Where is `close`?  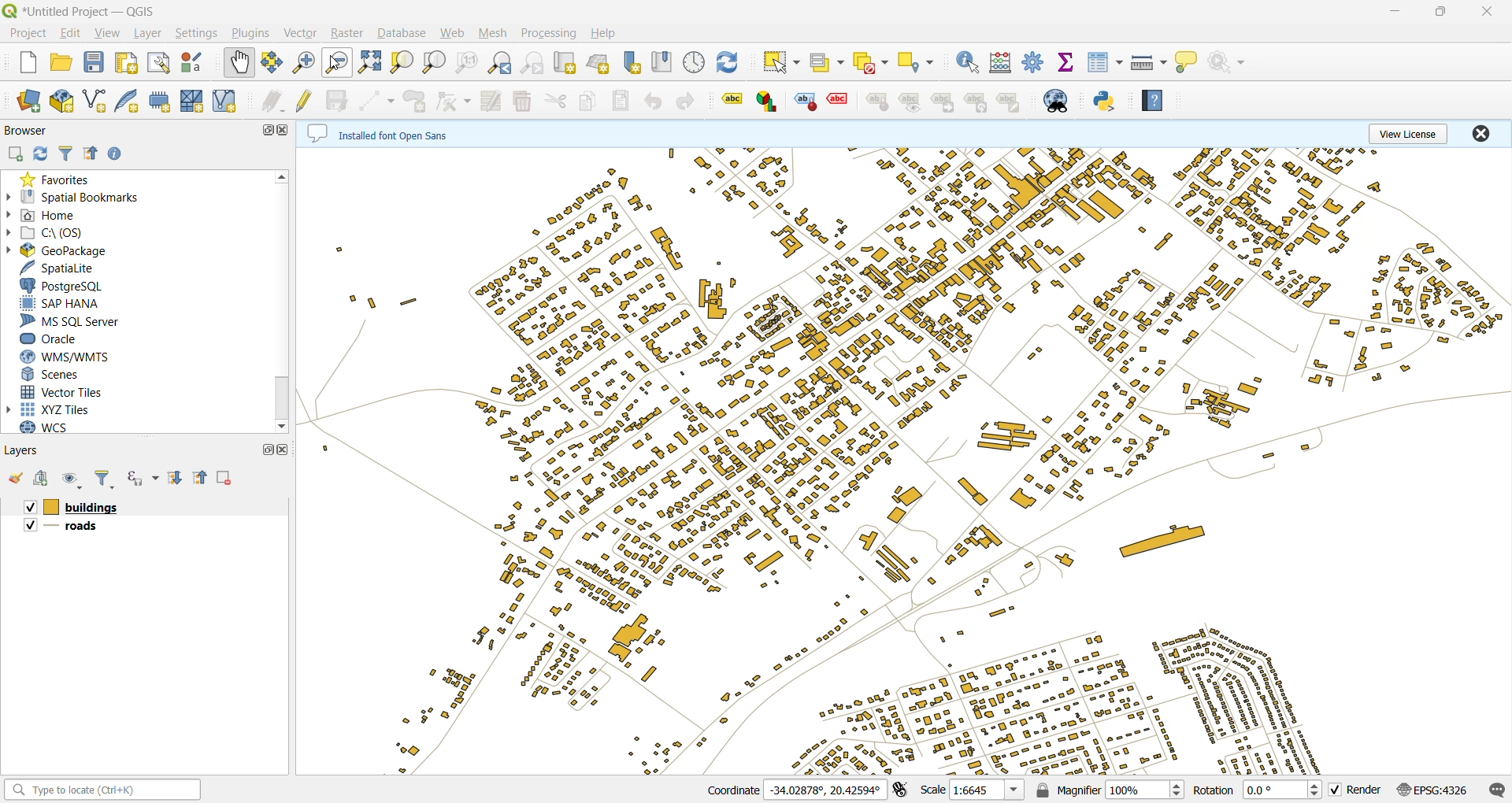 close is located at coordinates (1492, 13).